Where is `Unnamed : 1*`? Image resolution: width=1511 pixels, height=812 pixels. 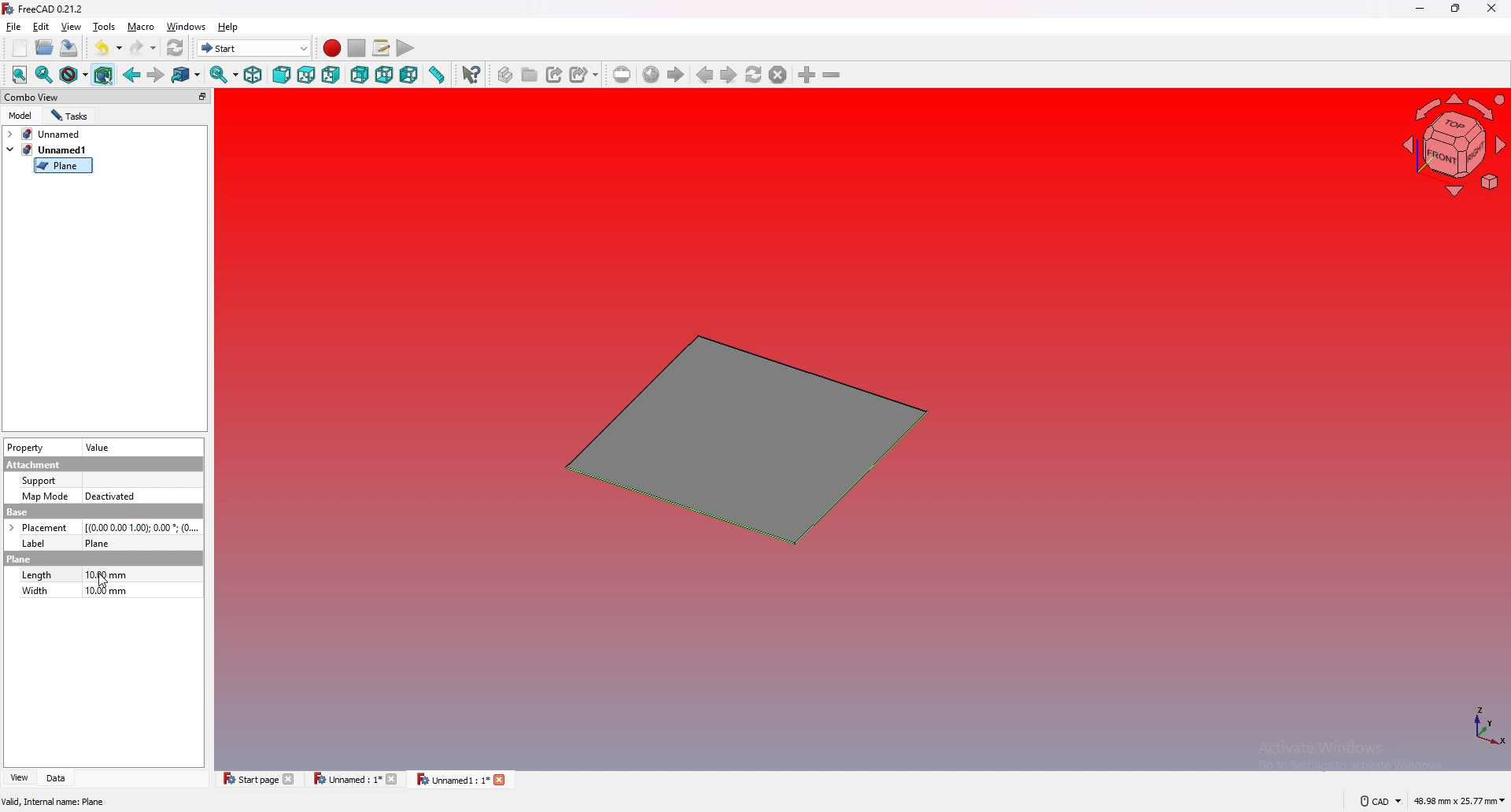 Unnamed : 1* is located at coordinates (356, 779).